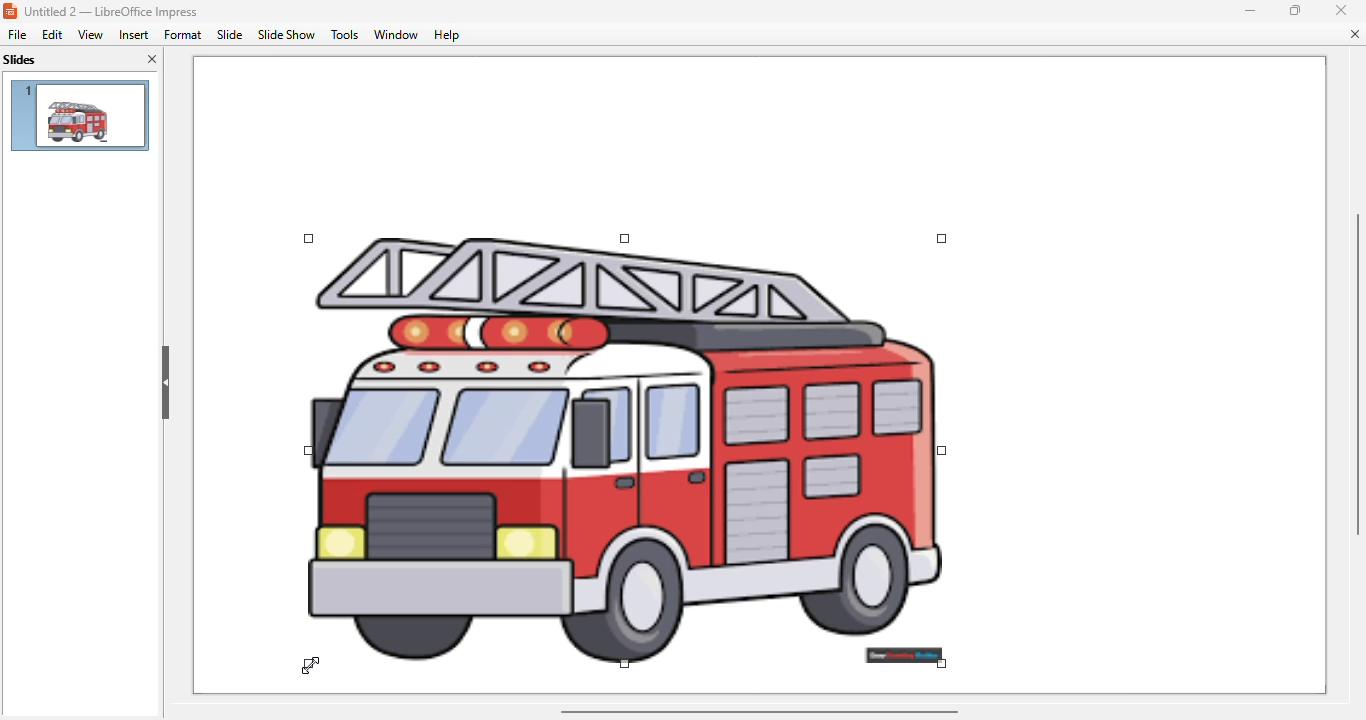 This screenshot has height=720, width=1366. What do you see at coordinates (133, 35) in the screenshot?
I see `insert` at bounding box center [133, 35].